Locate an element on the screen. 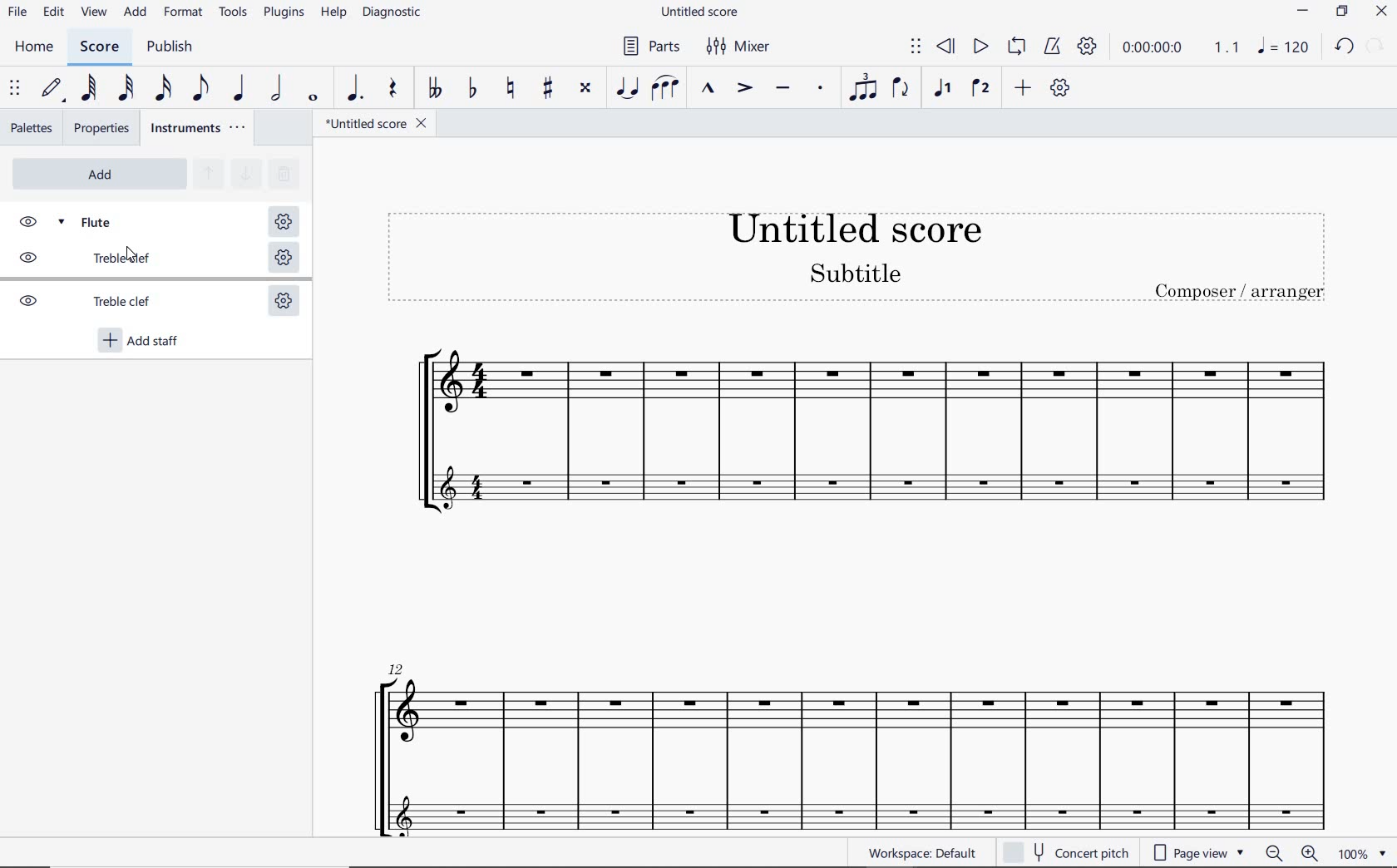 This screenshot has height=868, width=1397. MOVE SELECTED INSTRUMENT DOWN is located at coordinates (244, 172).